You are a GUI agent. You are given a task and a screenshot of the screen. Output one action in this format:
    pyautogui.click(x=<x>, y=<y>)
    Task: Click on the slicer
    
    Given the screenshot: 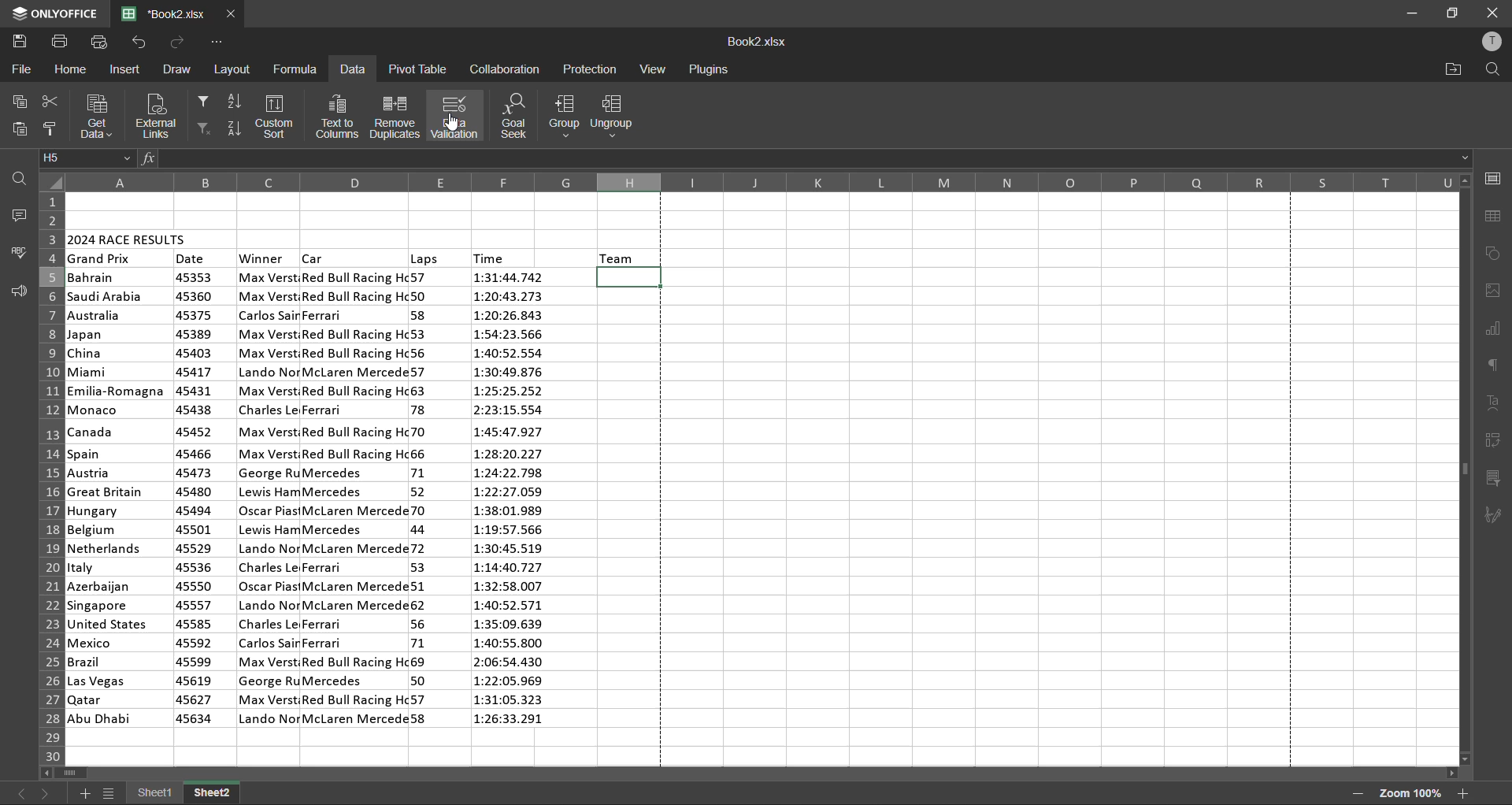 What is the action you would take?
    pyautogui.click(x=1495, y=480)
    